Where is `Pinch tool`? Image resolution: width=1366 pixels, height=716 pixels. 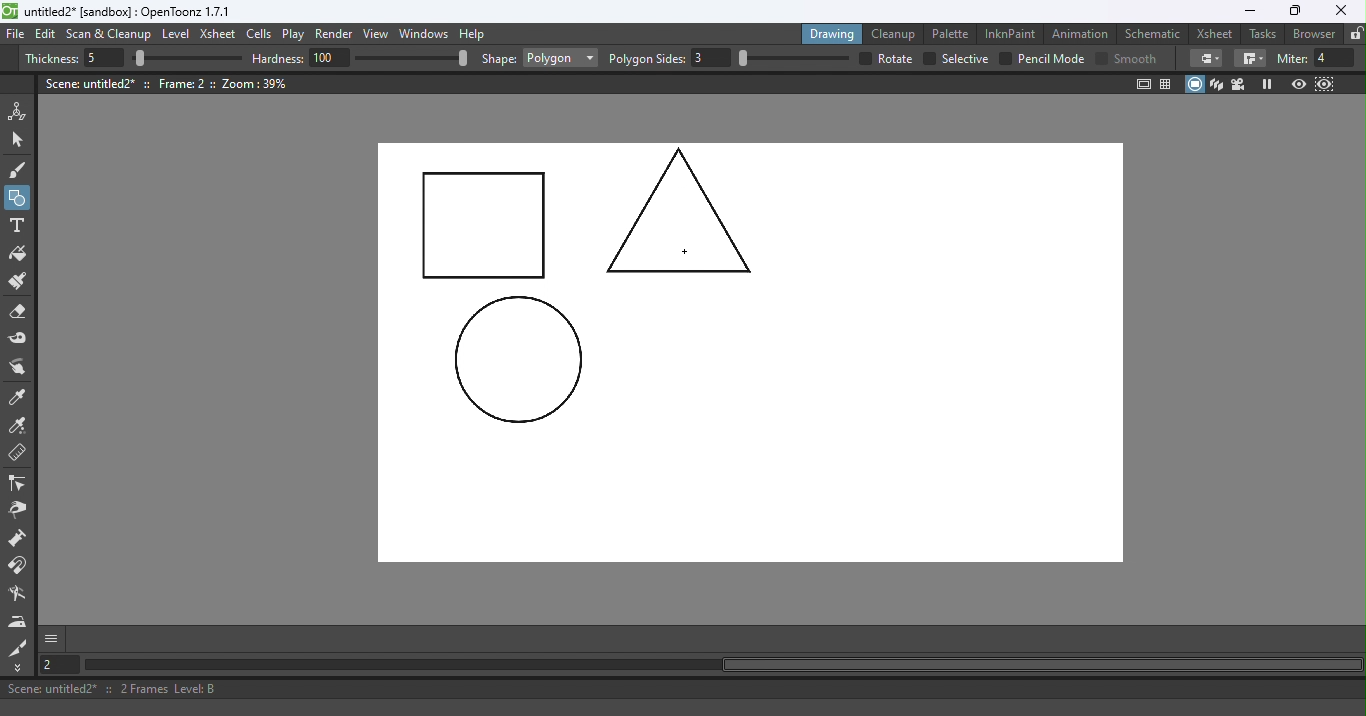
Pinch tool is located at coordinates (17, 513).